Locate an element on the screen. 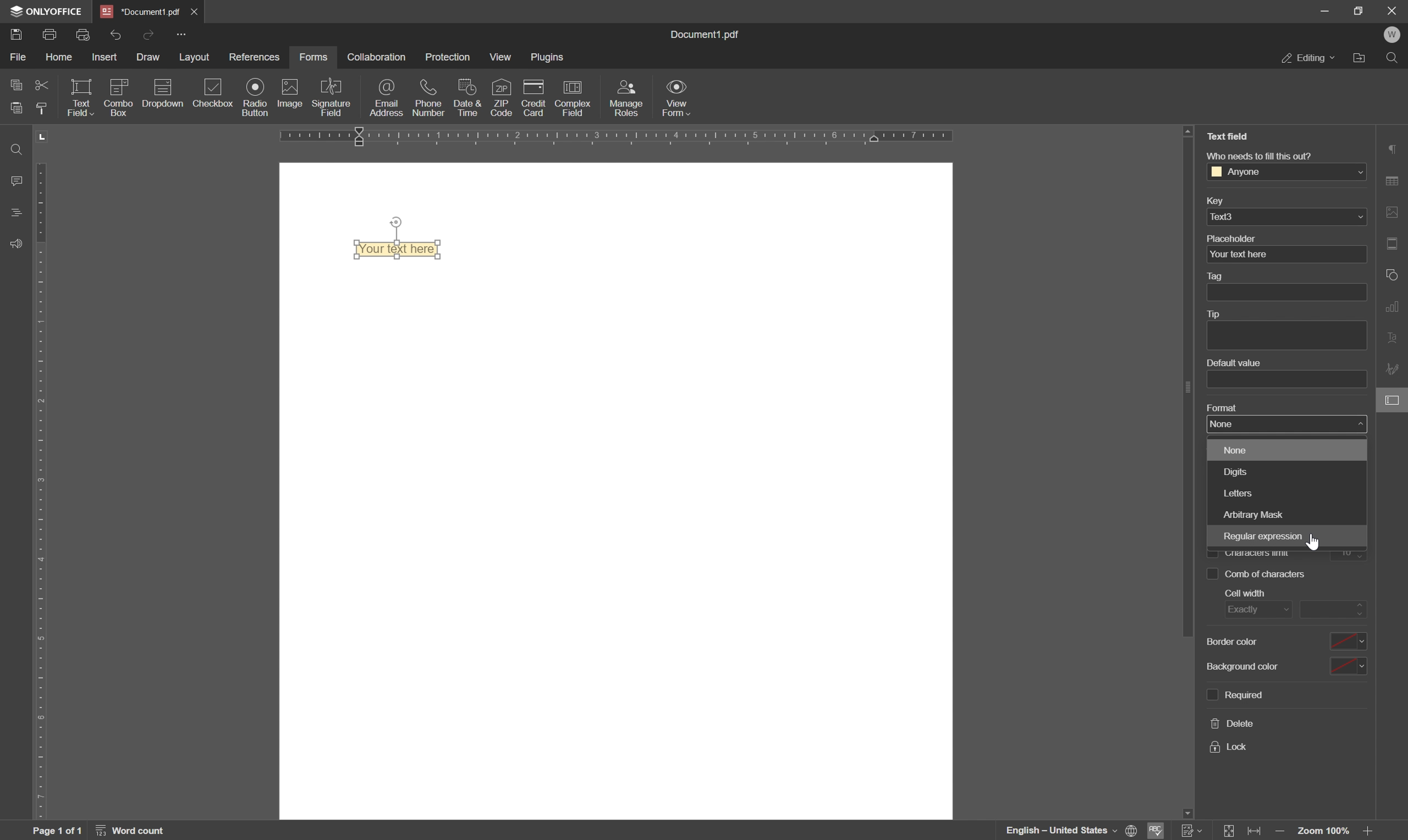  who needs to fill this out? is located at coordinates (1257, 155).